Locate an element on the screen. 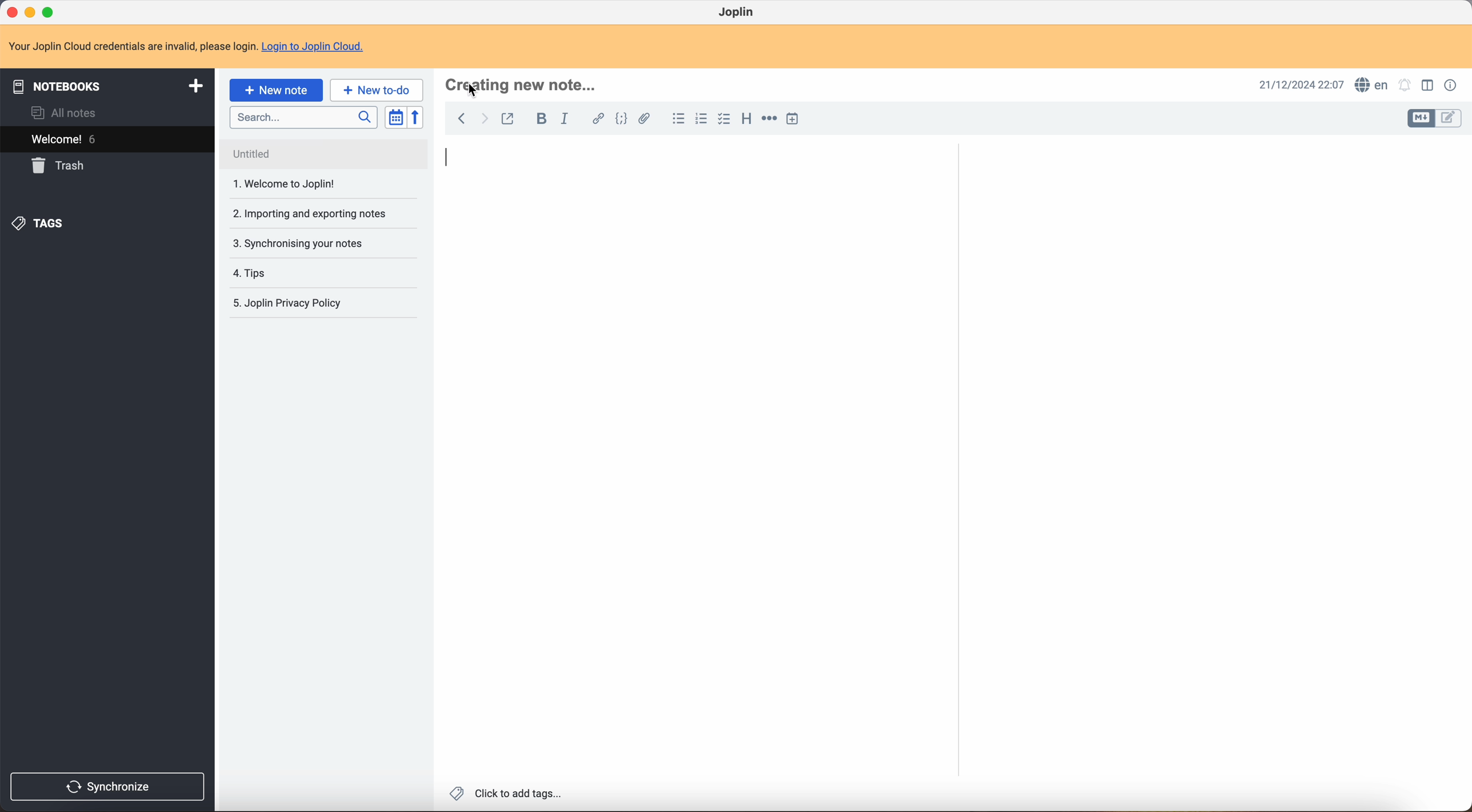 The width and height of the screenshot is (1472, 812). new to-do is located at coordinates (376, 89).